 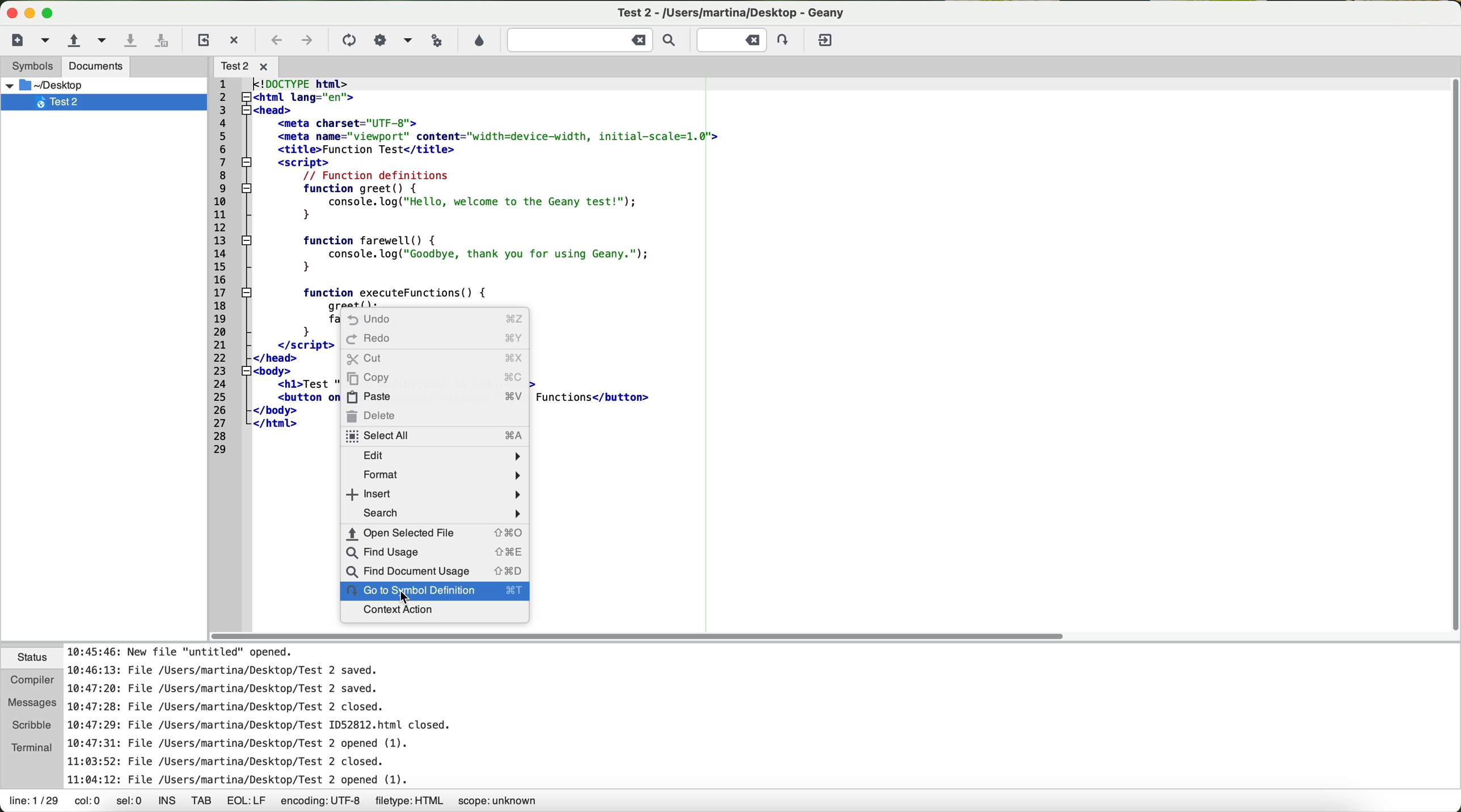 What do you see at coordinates (103, 42) in the screenshot?
I see `open a recent file` at bounding box center [103, 42].